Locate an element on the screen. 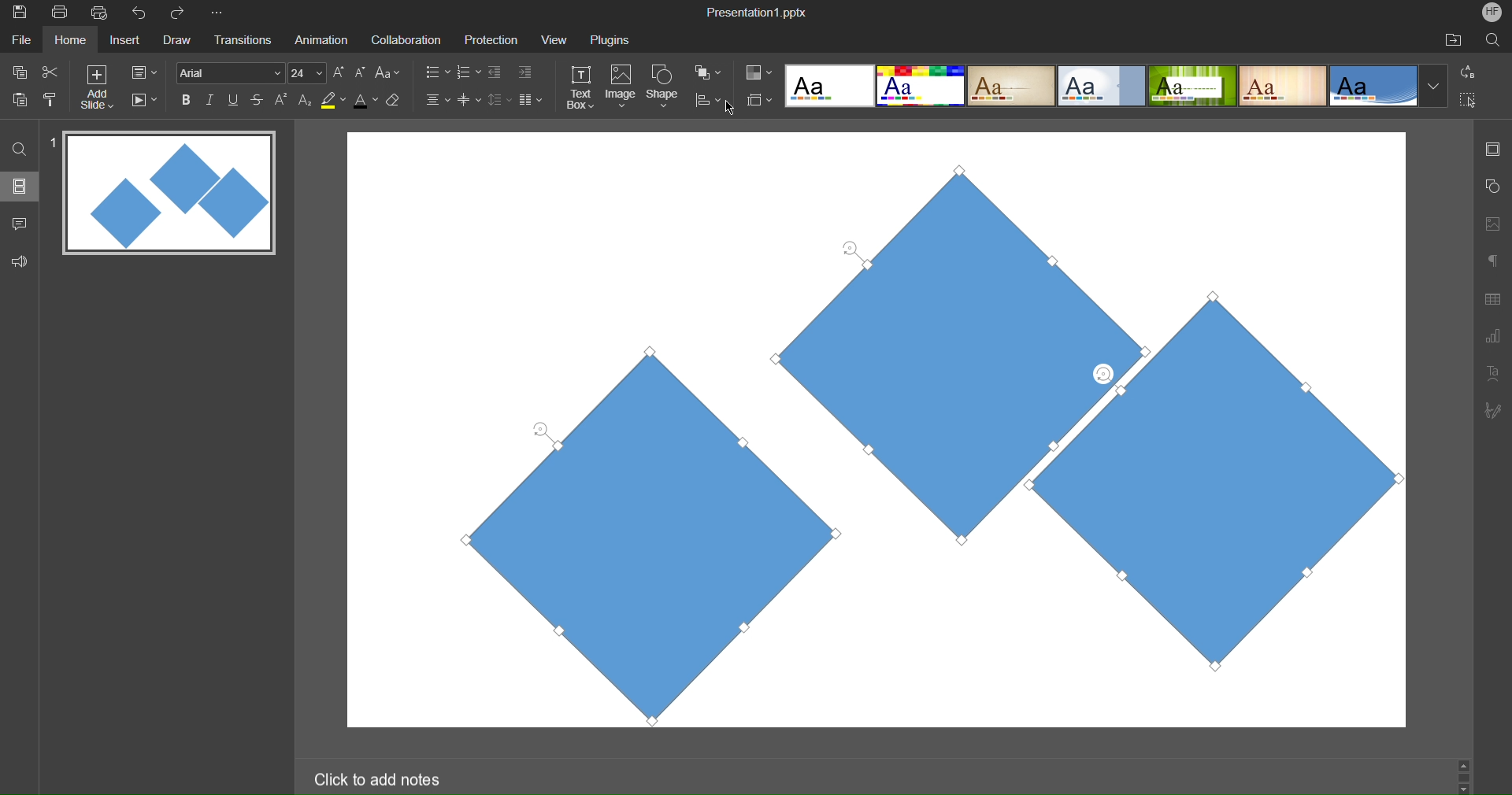 The image size is (1512, 795). copy is located at coordinates (17, 72).